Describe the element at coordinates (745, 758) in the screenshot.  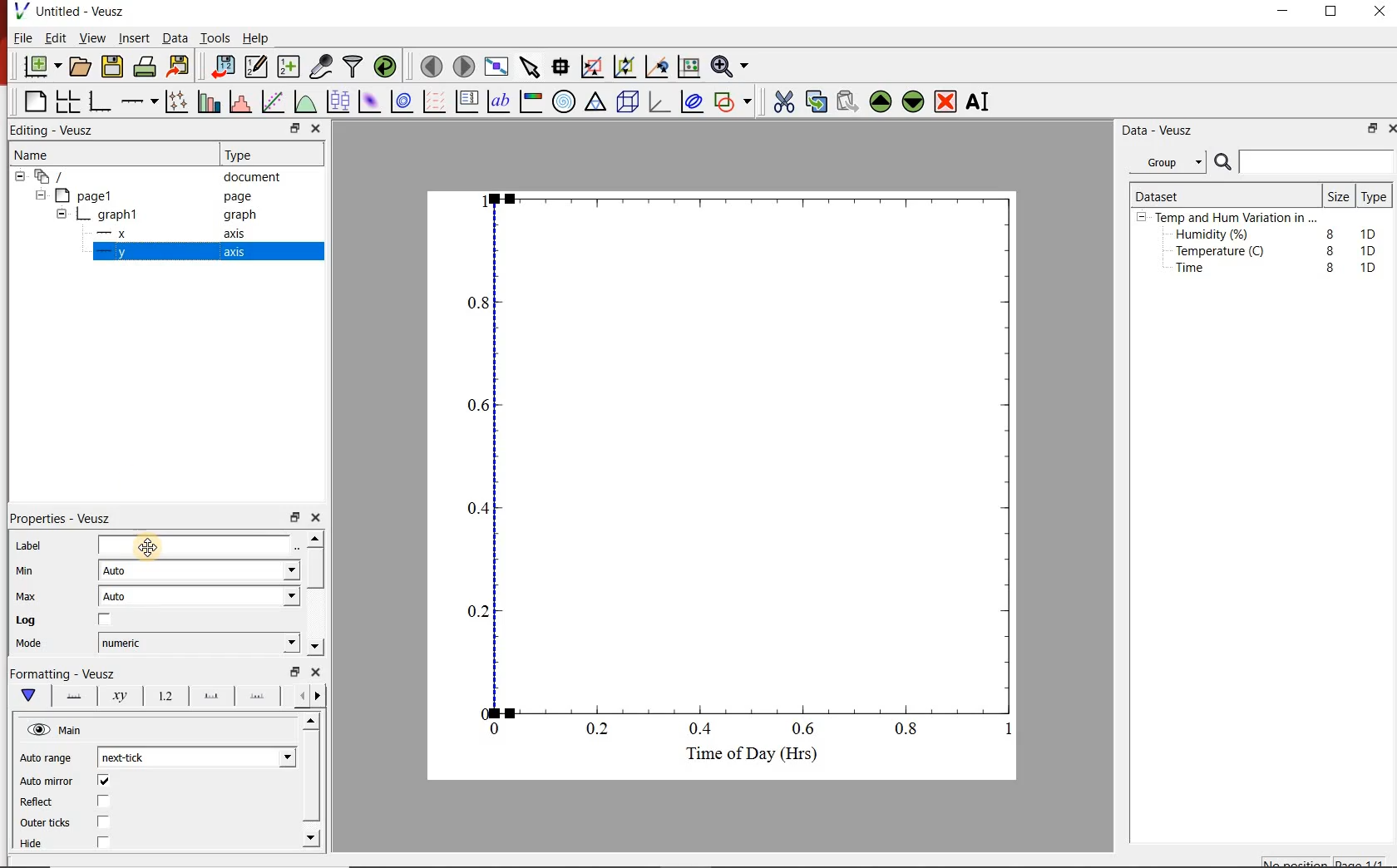
I see `Time of Day (Hrs)` at that location.